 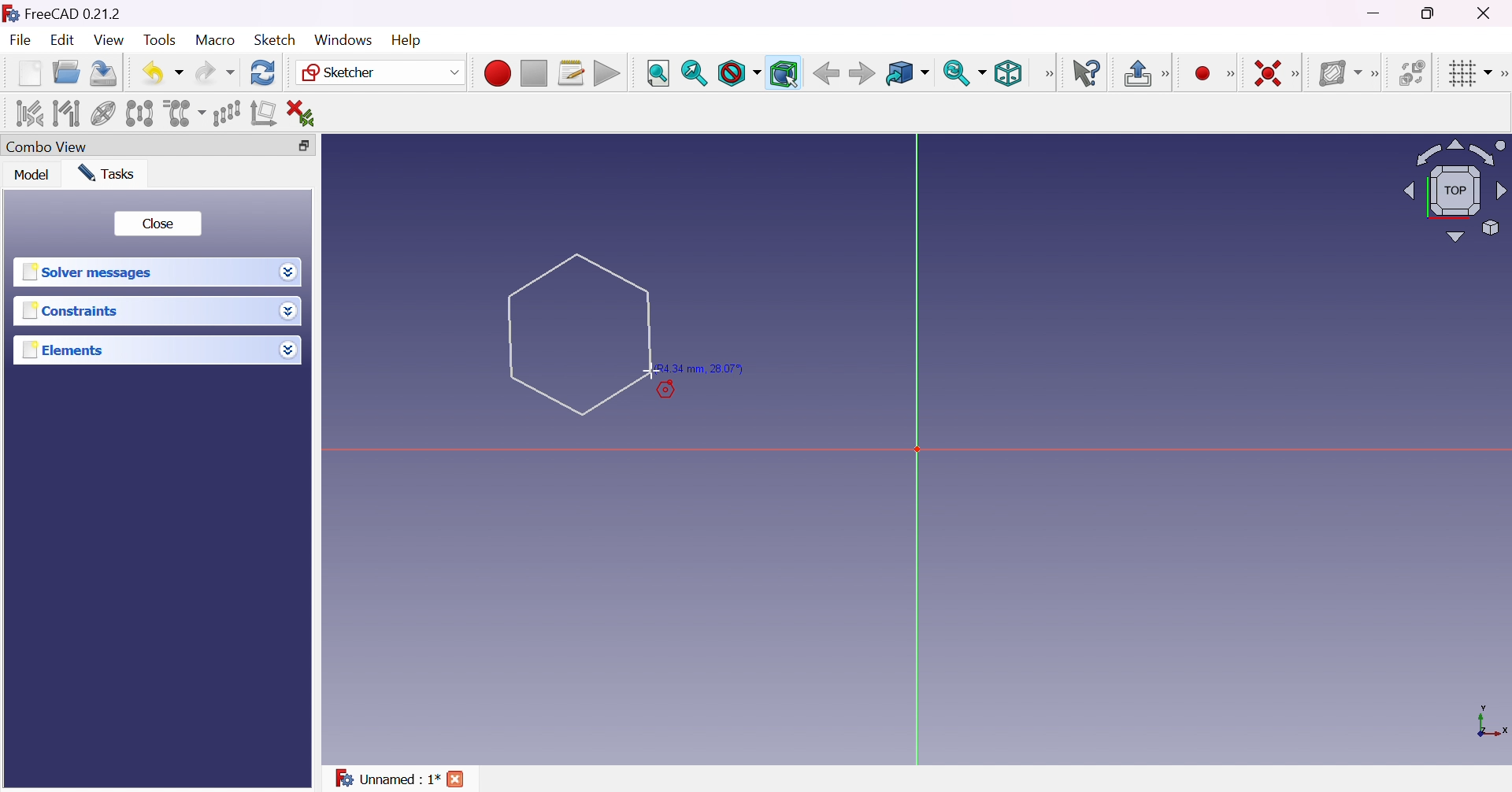 I want to click on Combo View, so click(x=47, y=146).